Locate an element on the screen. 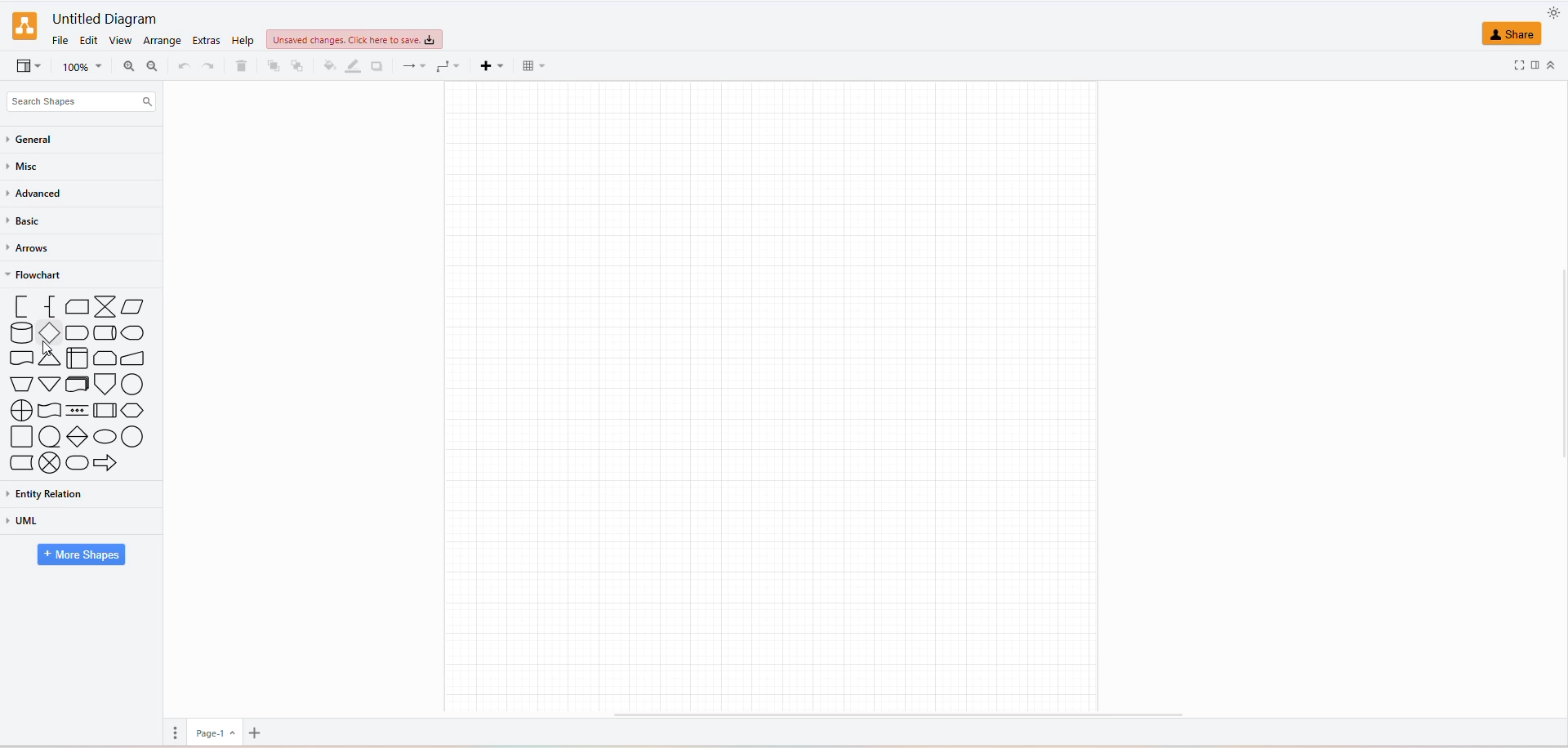 The height and width of the screenshot is (748, 1568). SHADOW is located at coordinates (382, 67).